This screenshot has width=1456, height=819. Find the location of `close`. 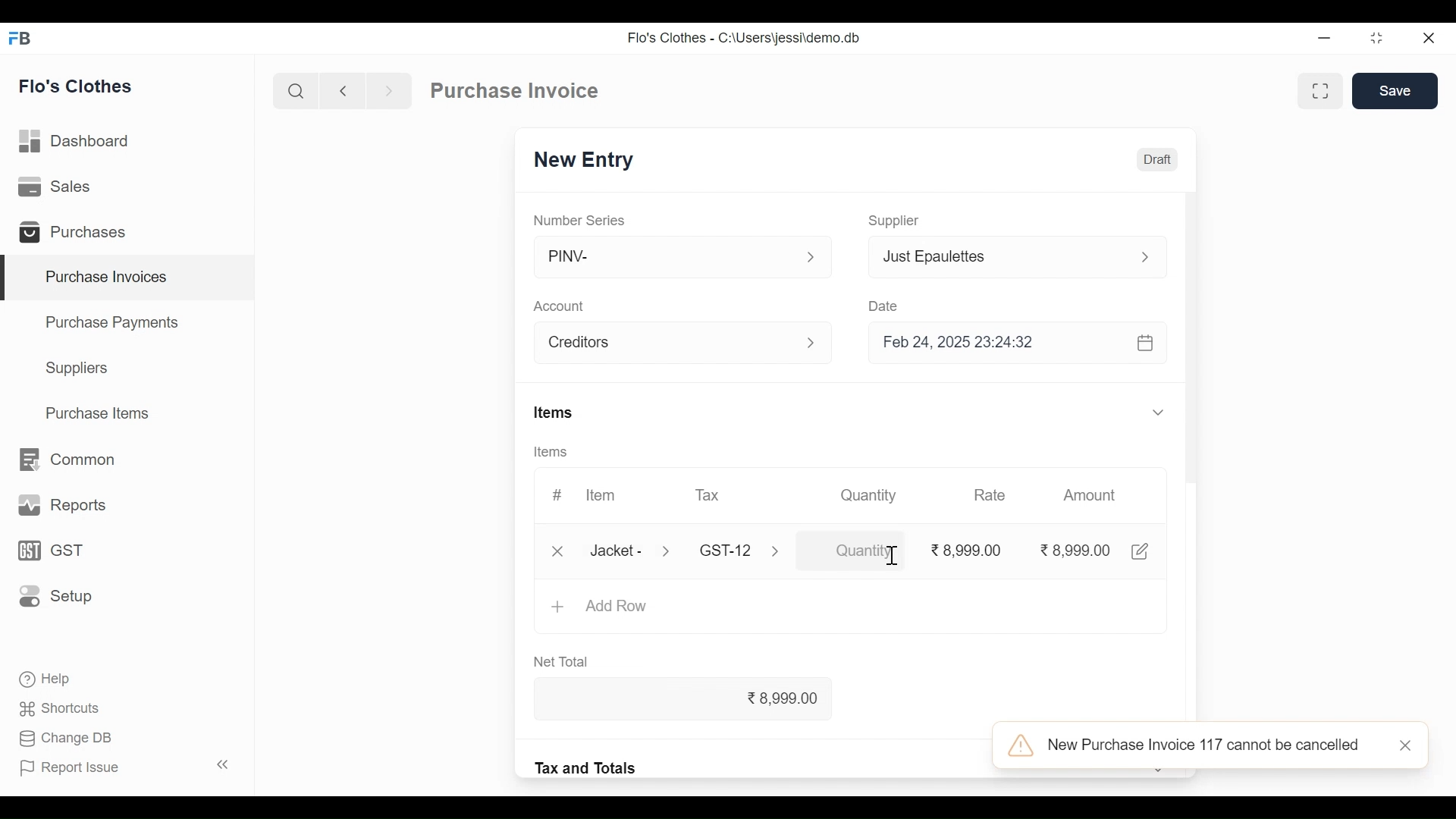

close is located at coordinates (1409, 746).